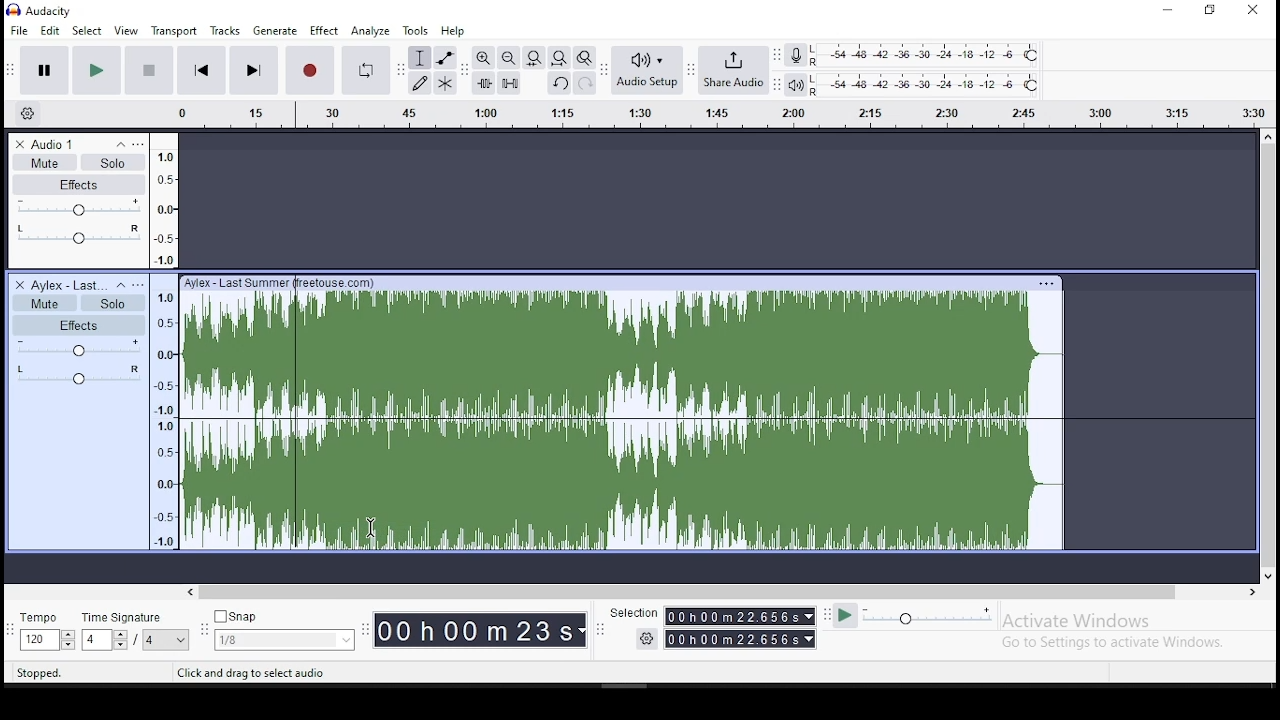  What do you see at coordinates (120, 285) in the screenshot?
I see `collapse` at bounding box center [120, 285].